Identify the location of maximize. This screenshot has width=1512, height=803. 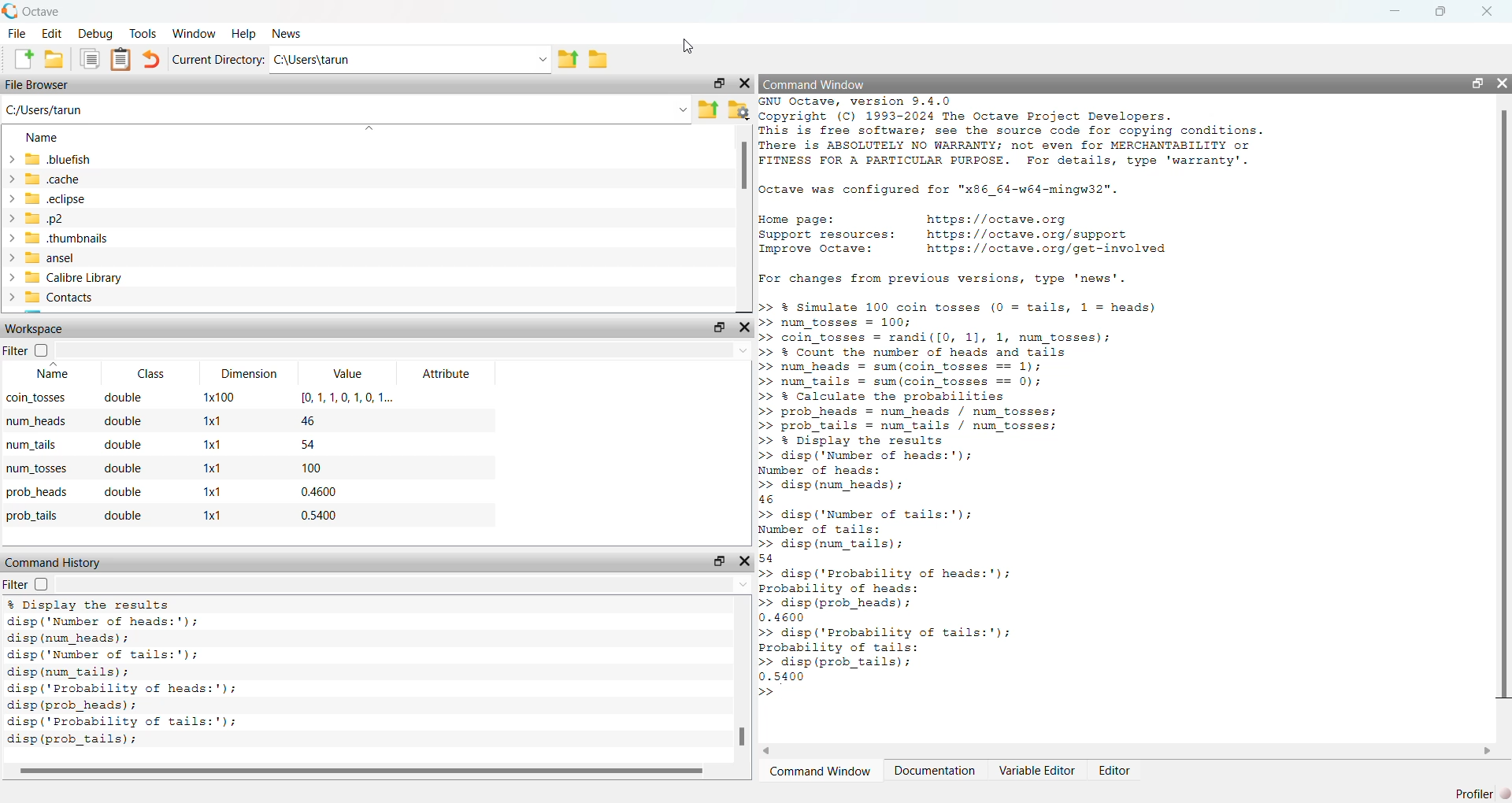
(719, 562).